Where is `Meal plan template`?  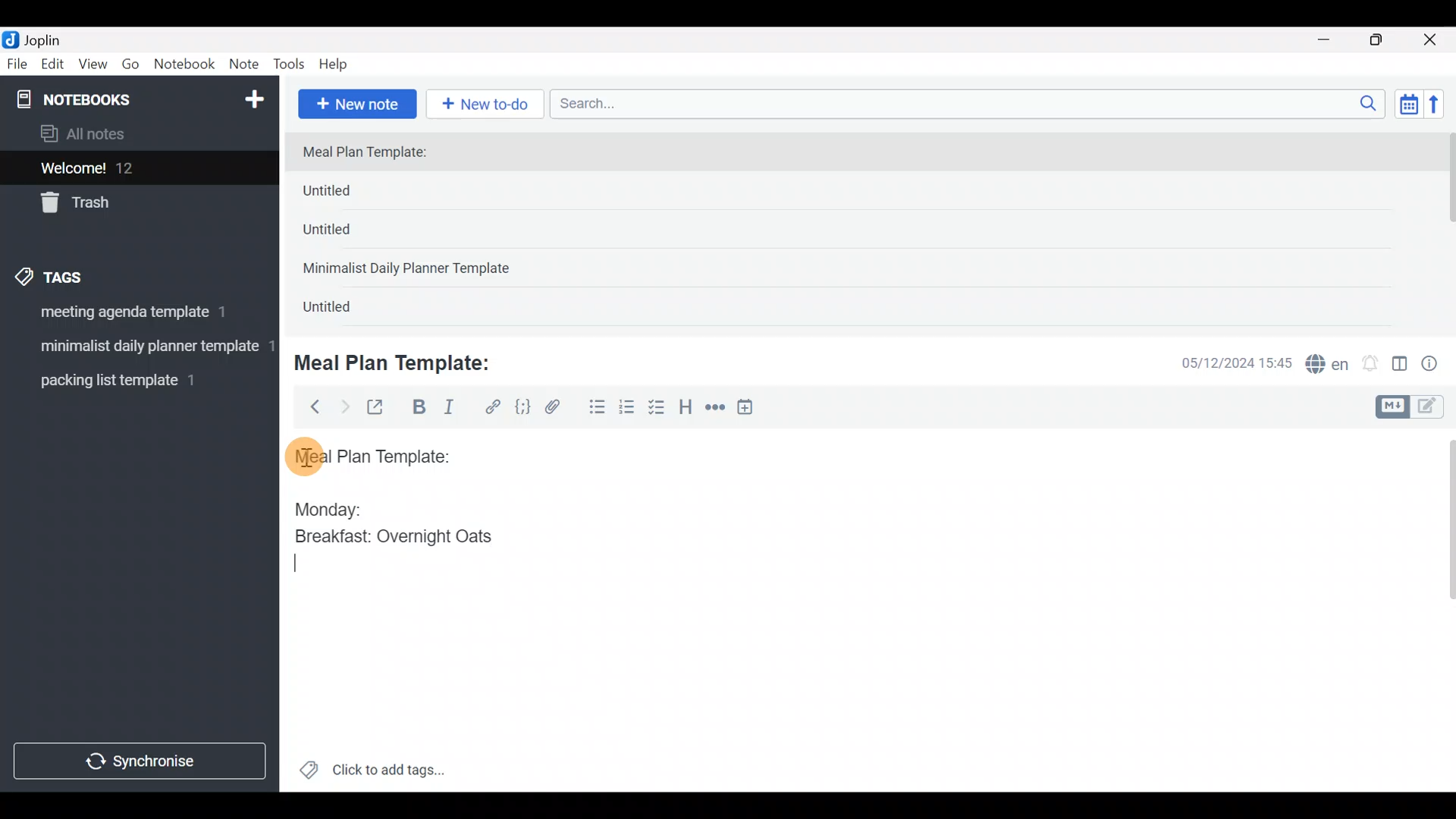 Meal plan template is located at coordinates (367, 454).